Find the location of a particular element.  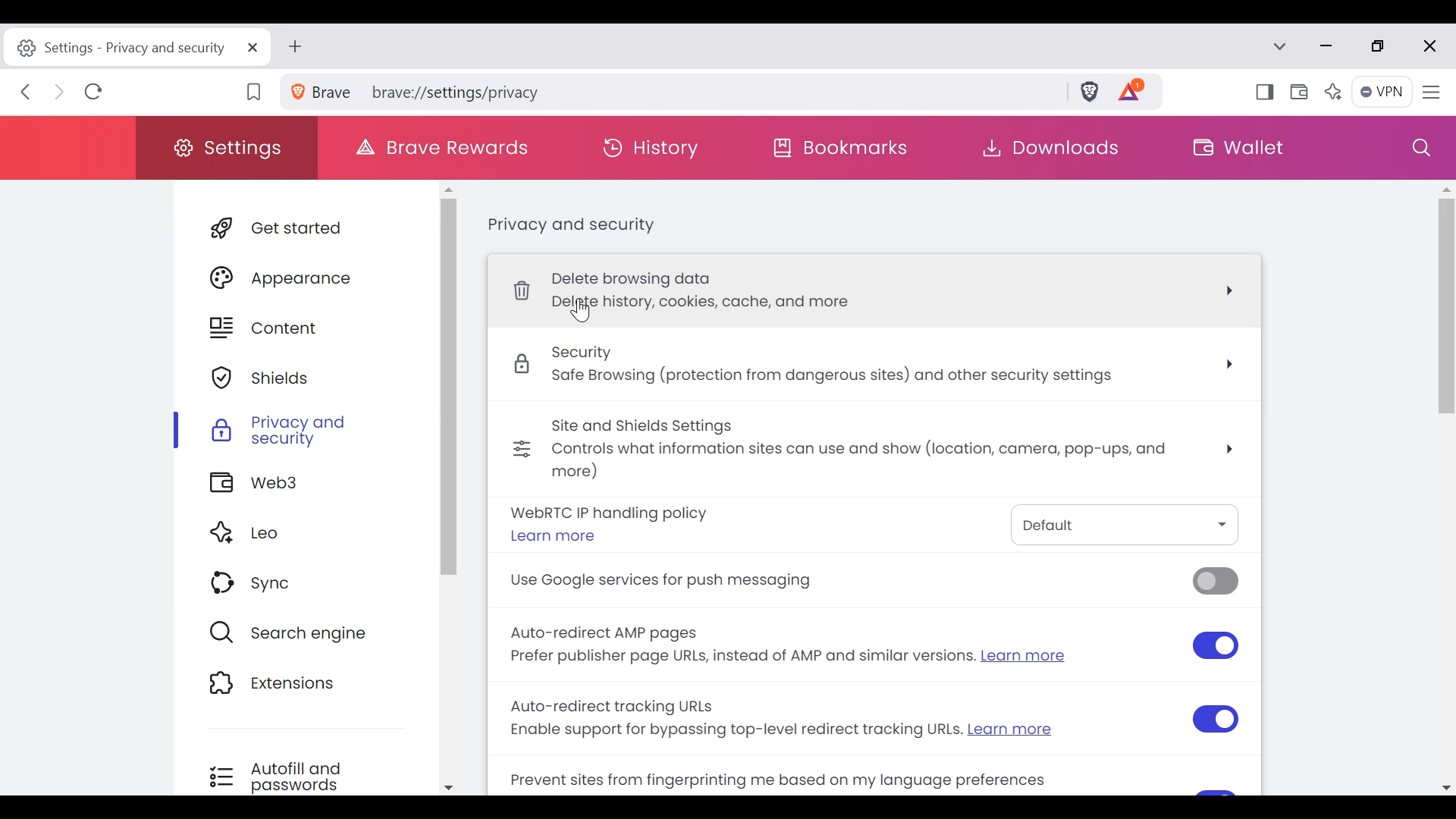

delete browsing data delete history, cookies, cache and more is located at coordinates (884, 290).